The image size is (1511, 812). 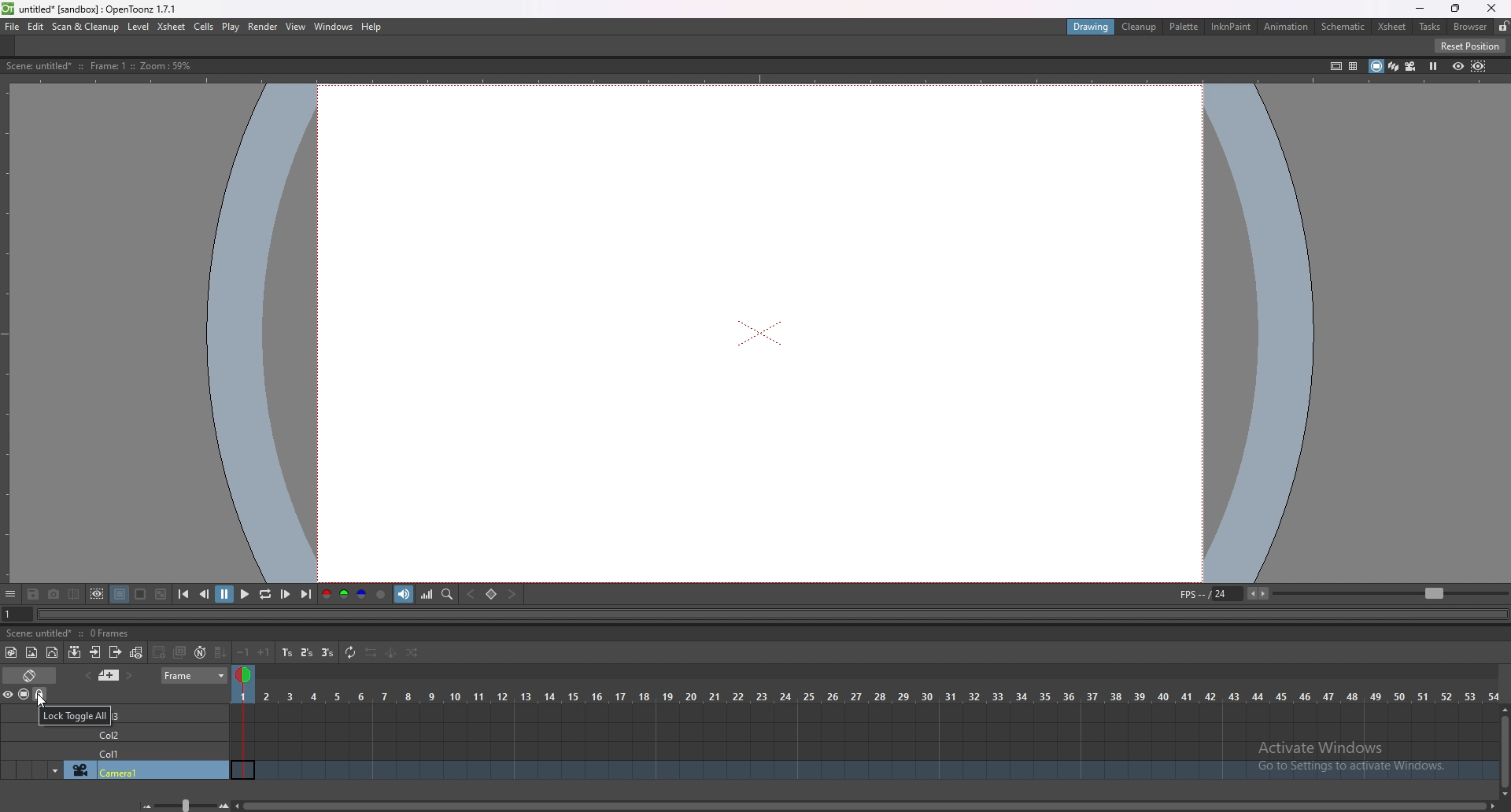 What do you see at coordinates (866, 772) in the screenshot?
I see `camera timeline` at bounding box center [866, 772].